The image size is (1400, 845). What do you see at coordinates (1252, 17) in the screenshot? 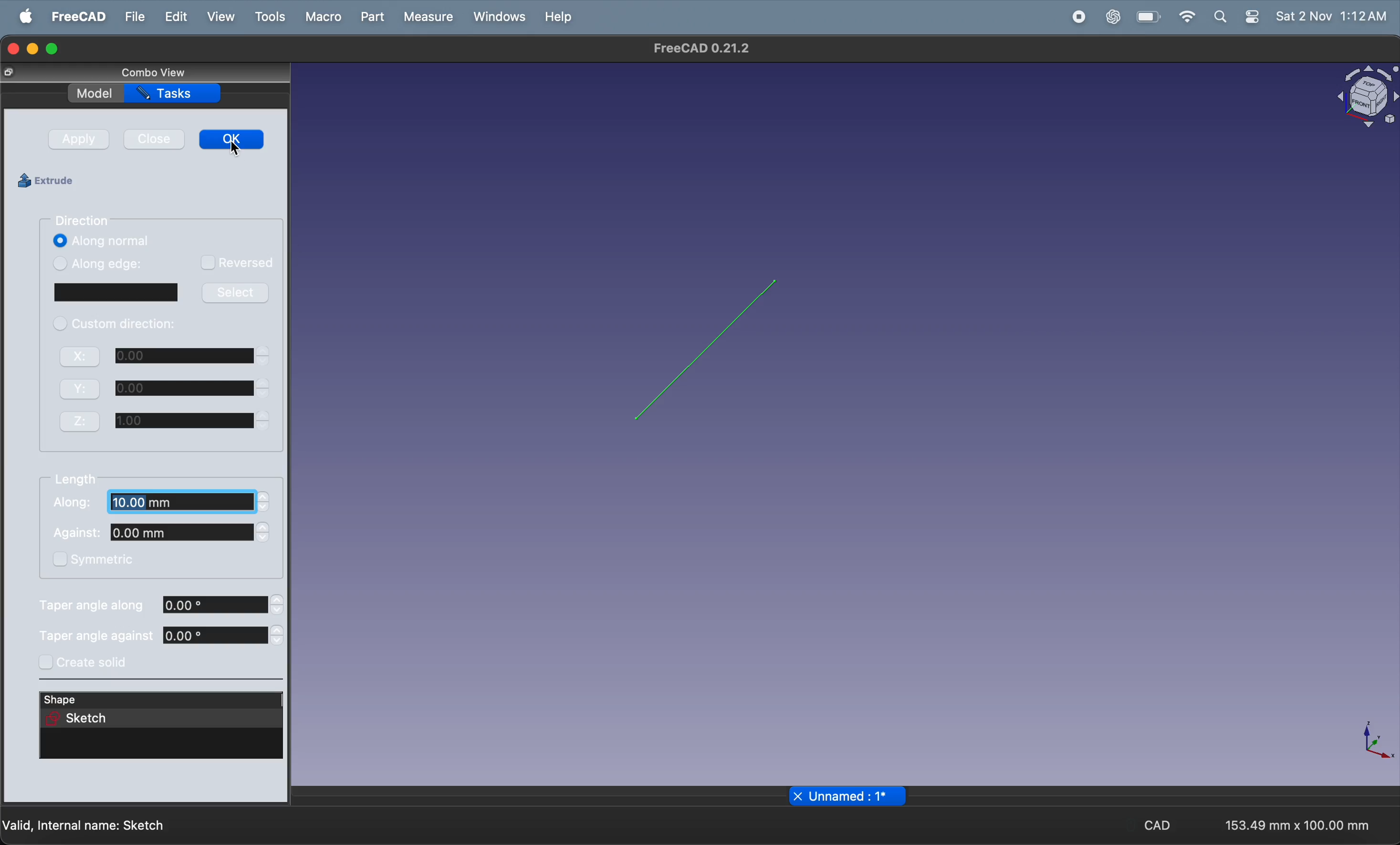
I see `settings` at bounding box center [1252, 17].